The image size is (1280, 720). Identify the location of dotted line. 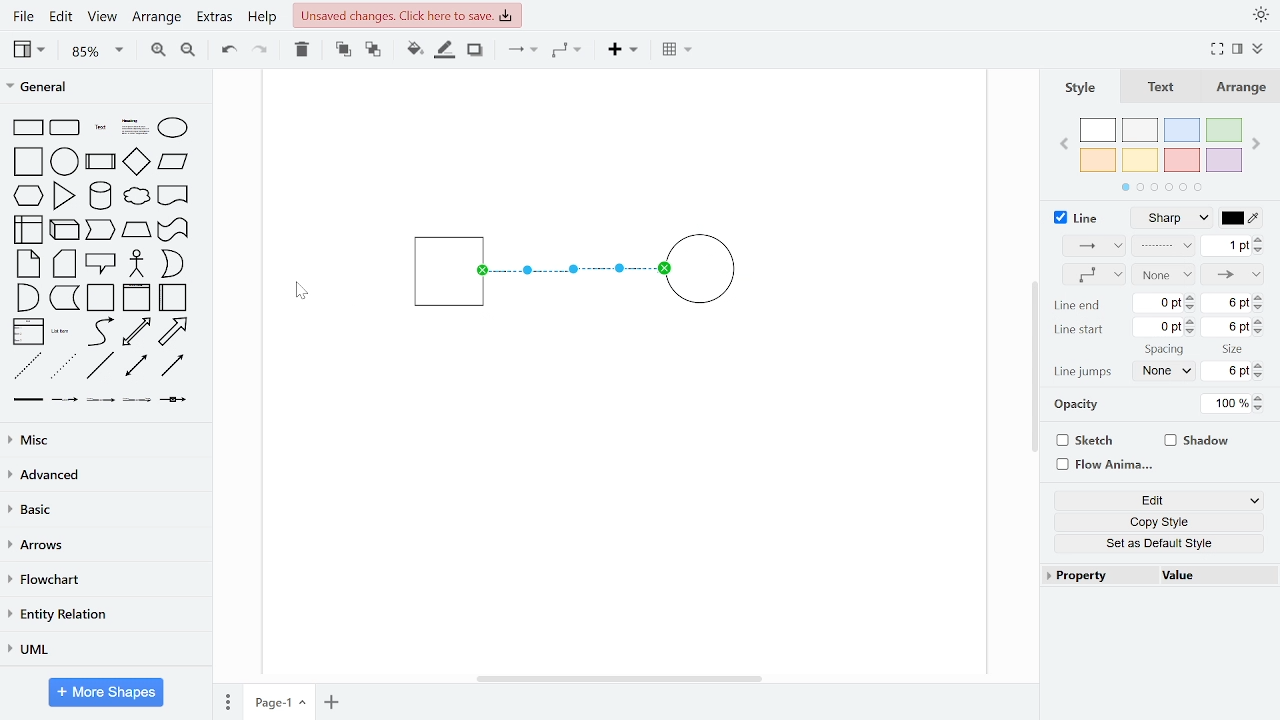
(63, 367).